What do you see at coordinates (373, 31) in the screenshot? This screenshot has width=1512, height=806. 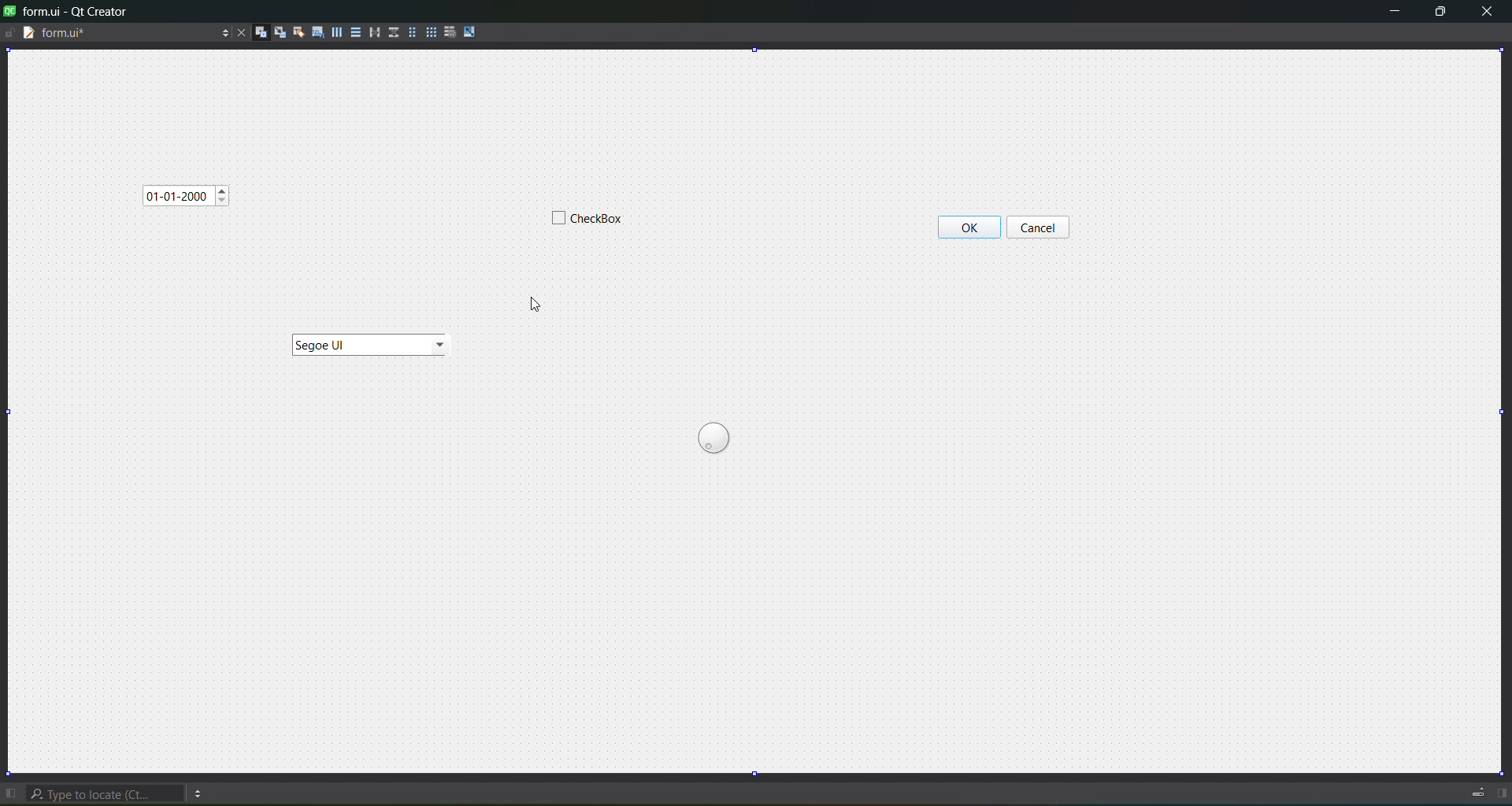 I see `layout horizontal splitter` at bounding box center [373, 31].